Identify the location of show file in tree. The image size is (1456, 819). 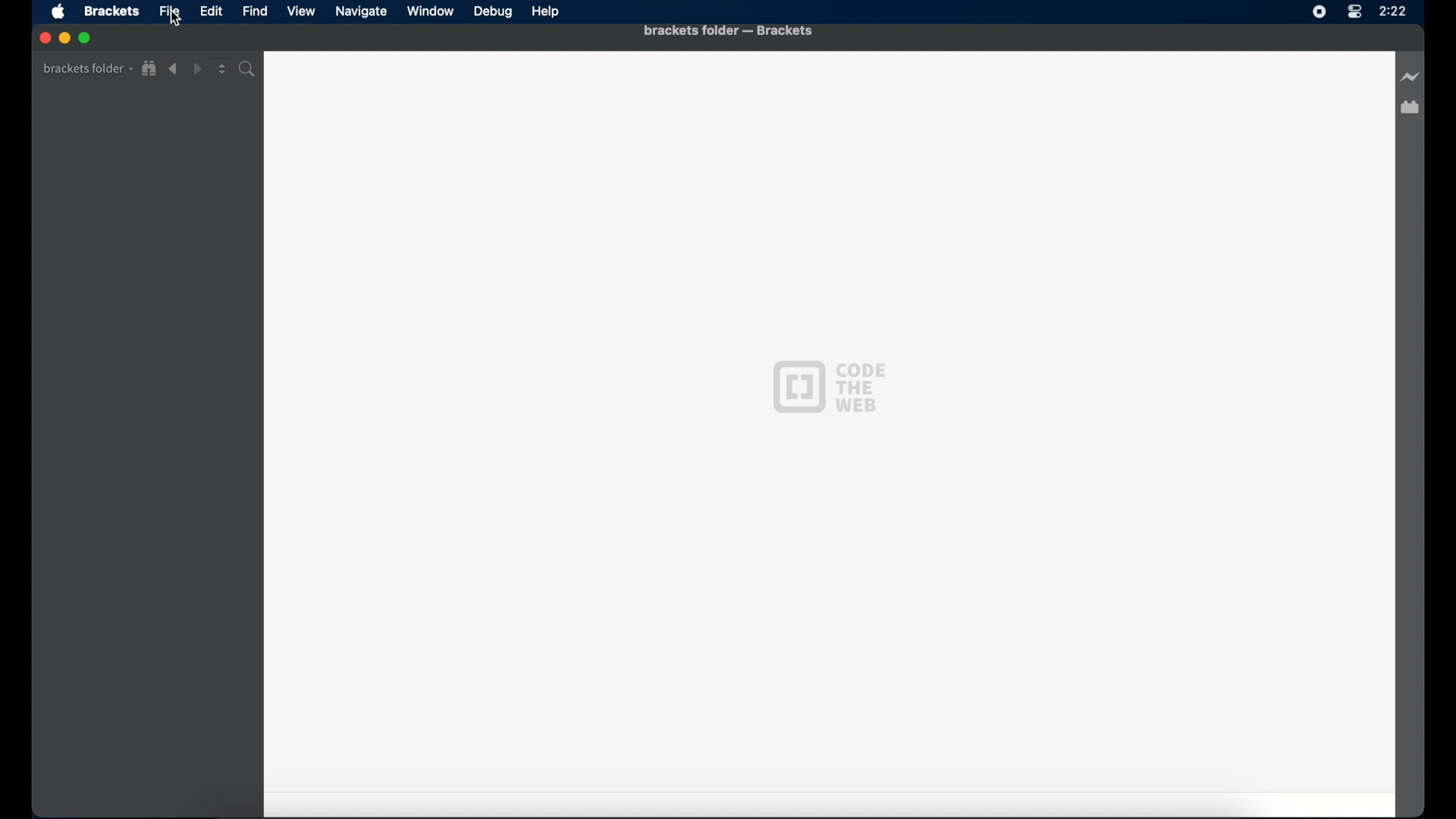
(150, 69).